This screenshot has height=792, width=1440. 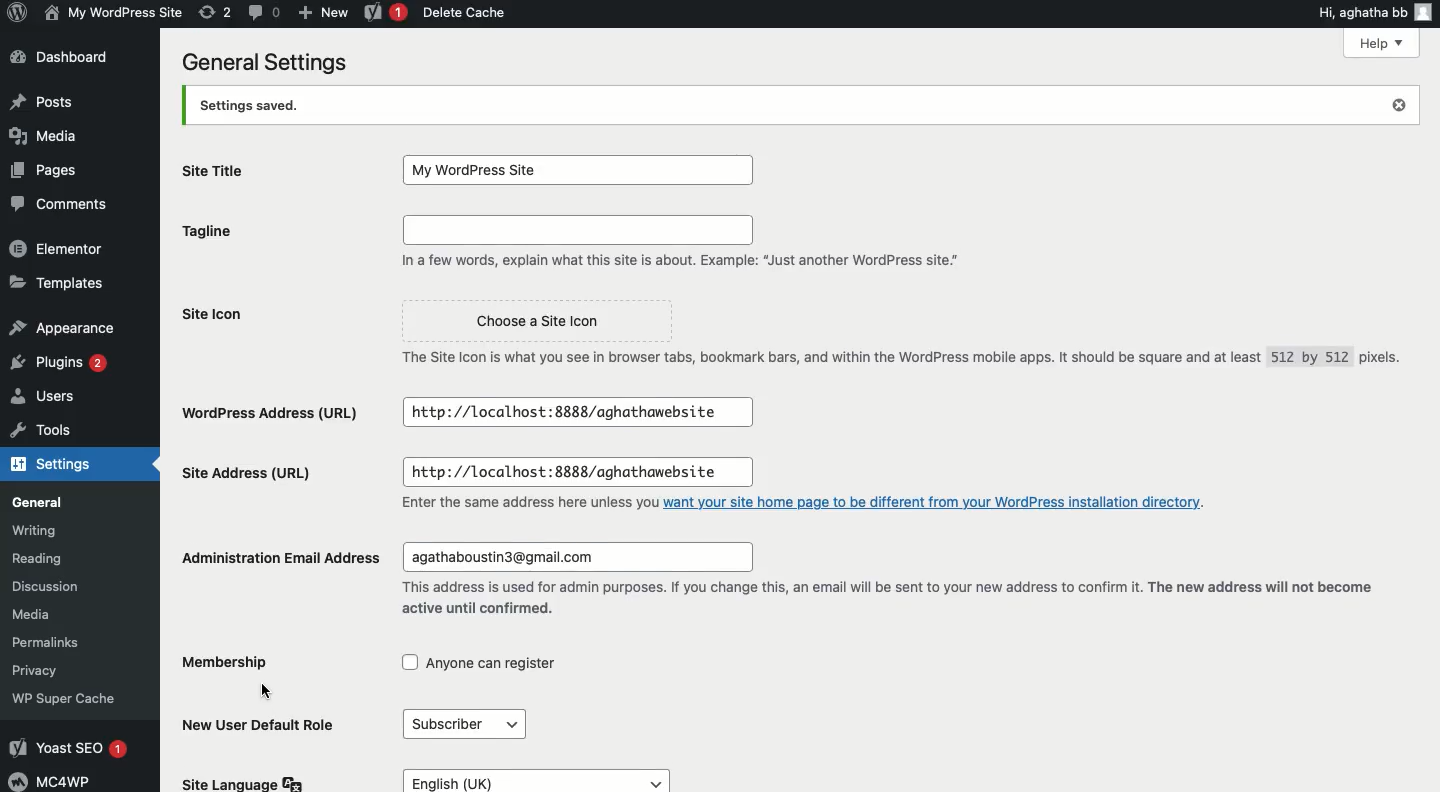 What do you see at coordinates (47, 100) in the screenshot?
I see `Posts` at bounding box center [47, 100].